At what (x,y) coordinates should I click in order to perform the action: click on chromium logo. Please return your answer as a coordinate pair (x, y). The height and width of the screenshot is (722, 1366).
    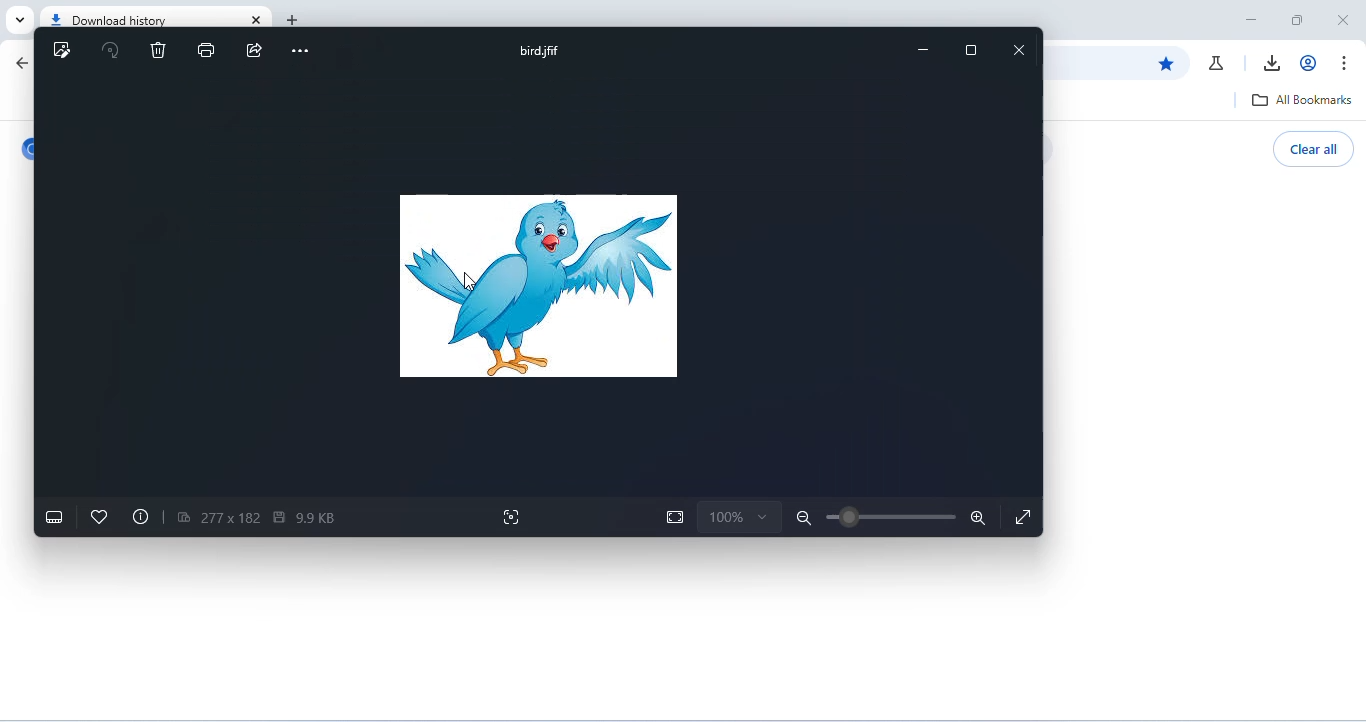
    Looking at the image, I should click on (22, 147).